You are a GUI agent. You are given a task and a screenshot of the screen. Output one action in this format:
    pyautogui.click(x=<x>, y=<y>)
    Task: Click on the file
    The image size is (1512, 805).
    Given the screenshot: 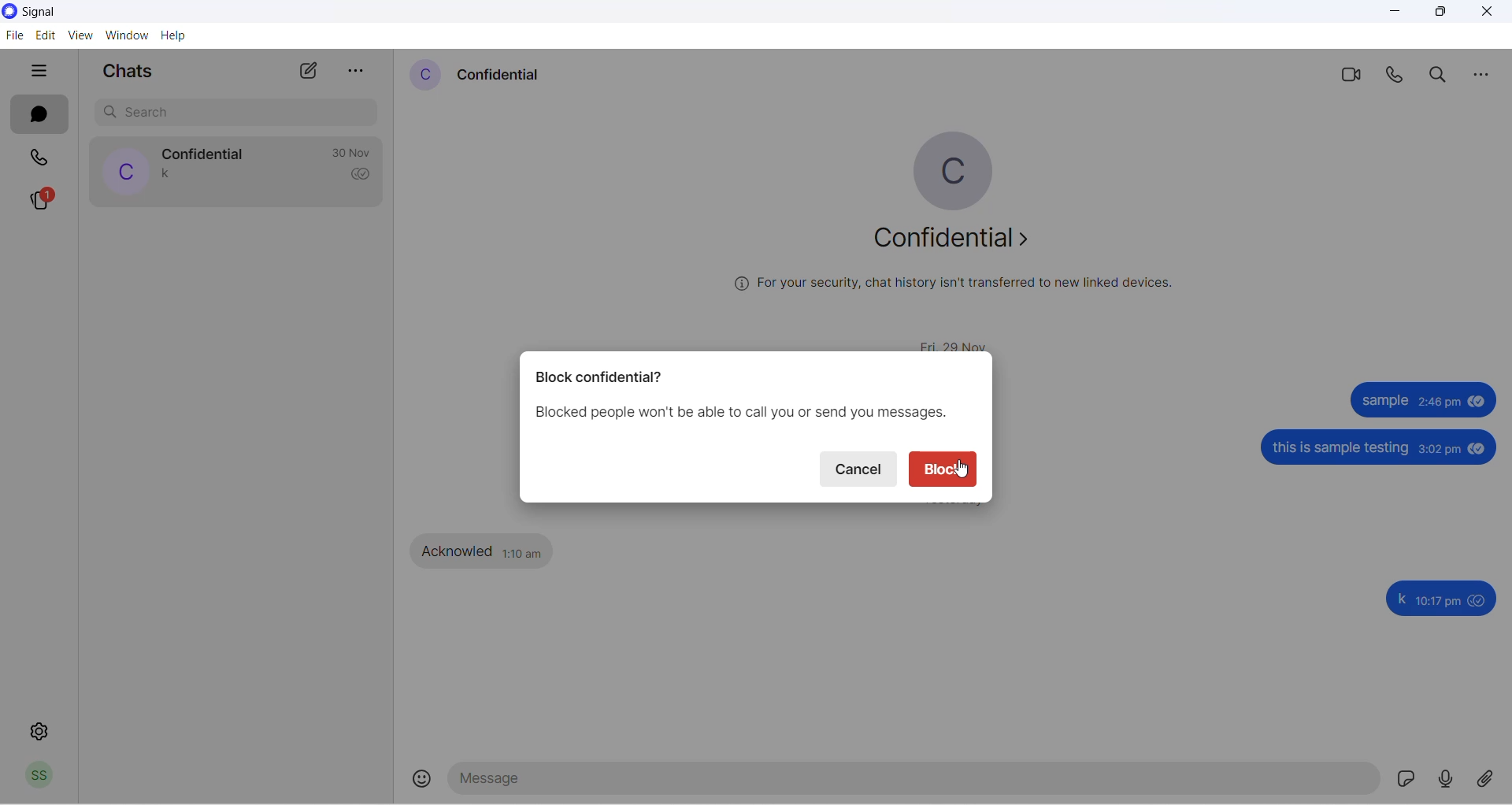 What is the action you would take?
    pyautogui.click(x=14, y=34)
    